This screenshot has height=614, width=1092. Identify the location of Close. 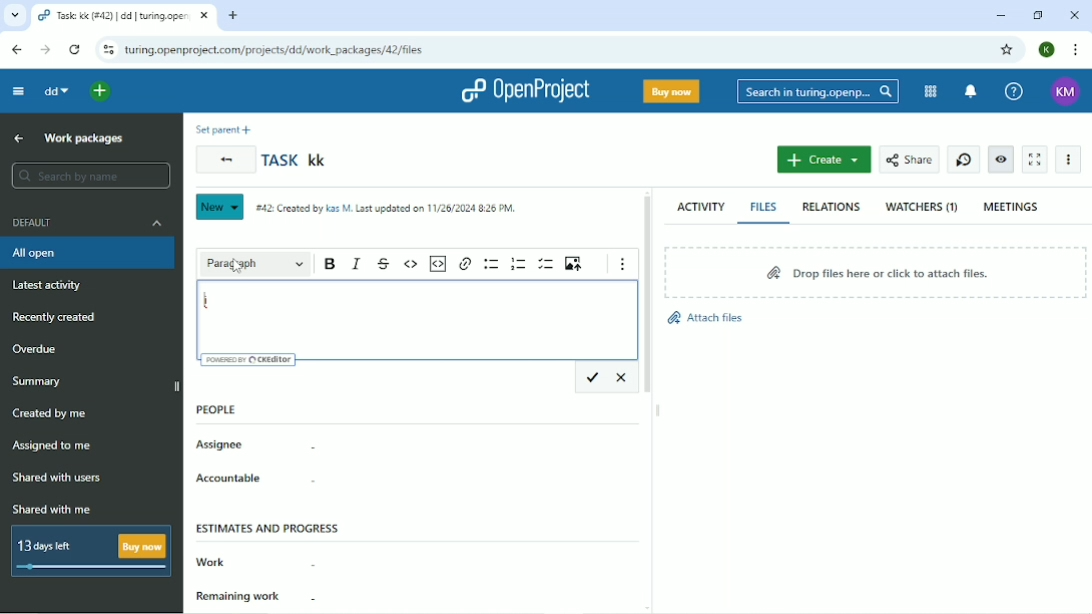
(1076, 15).